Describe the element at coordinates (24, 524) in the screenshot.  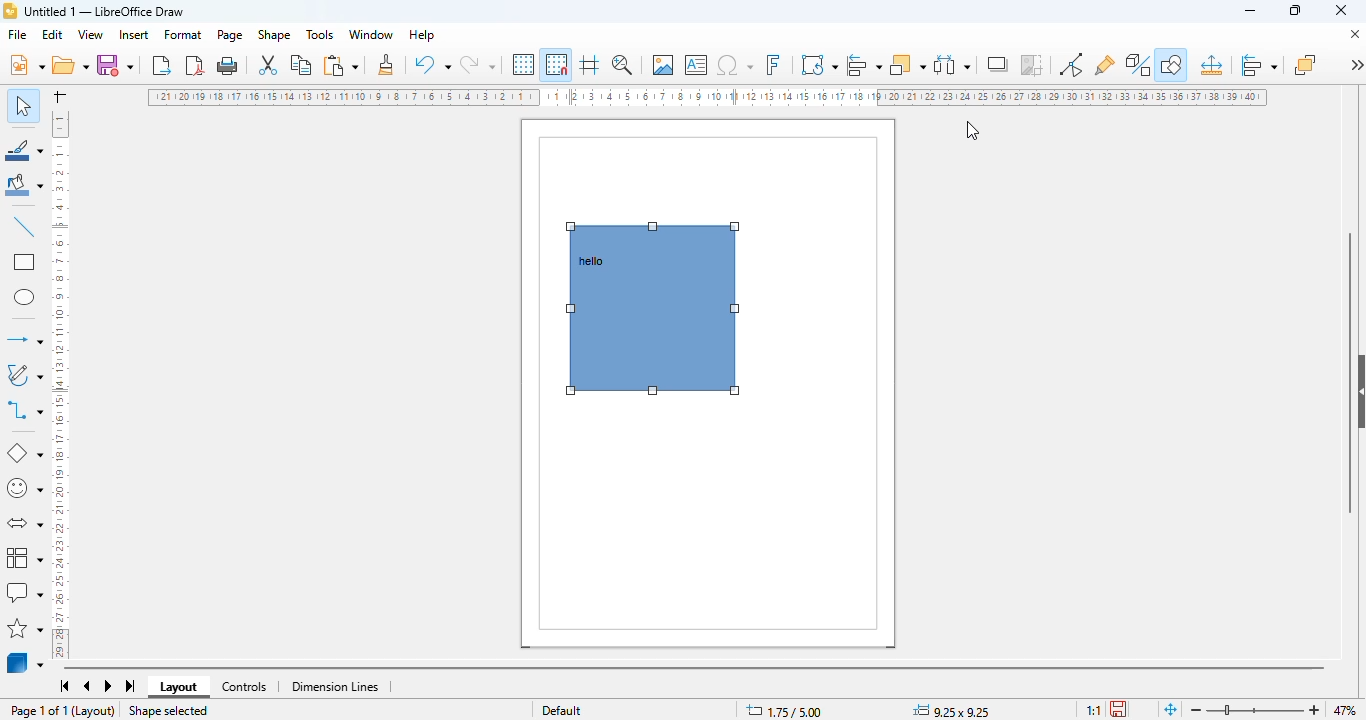
I see `block arrows` at that location.